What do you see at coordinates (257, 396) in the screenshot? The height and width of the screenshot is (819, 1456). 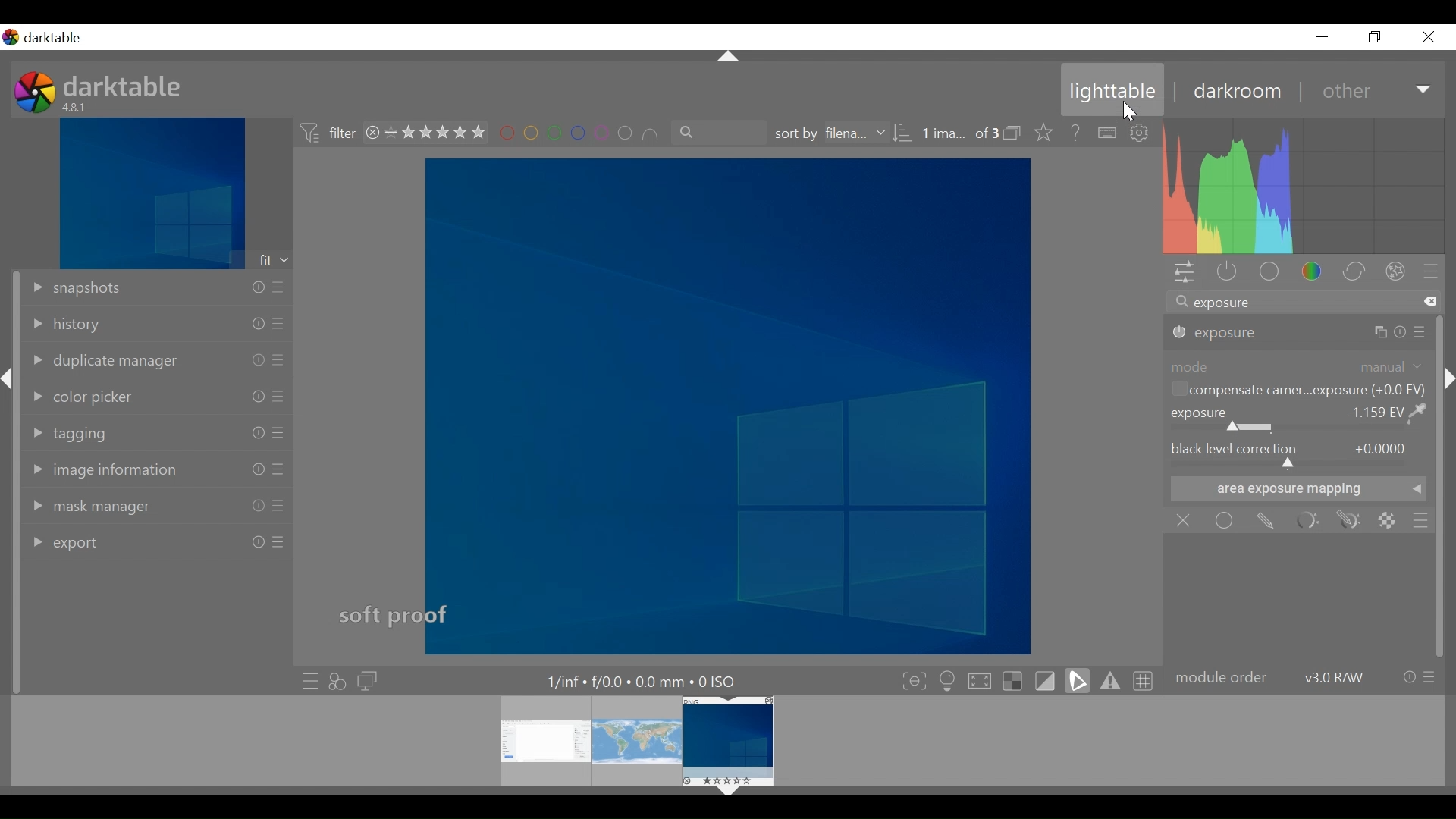 I see `info` at bounding box center [257, 396].